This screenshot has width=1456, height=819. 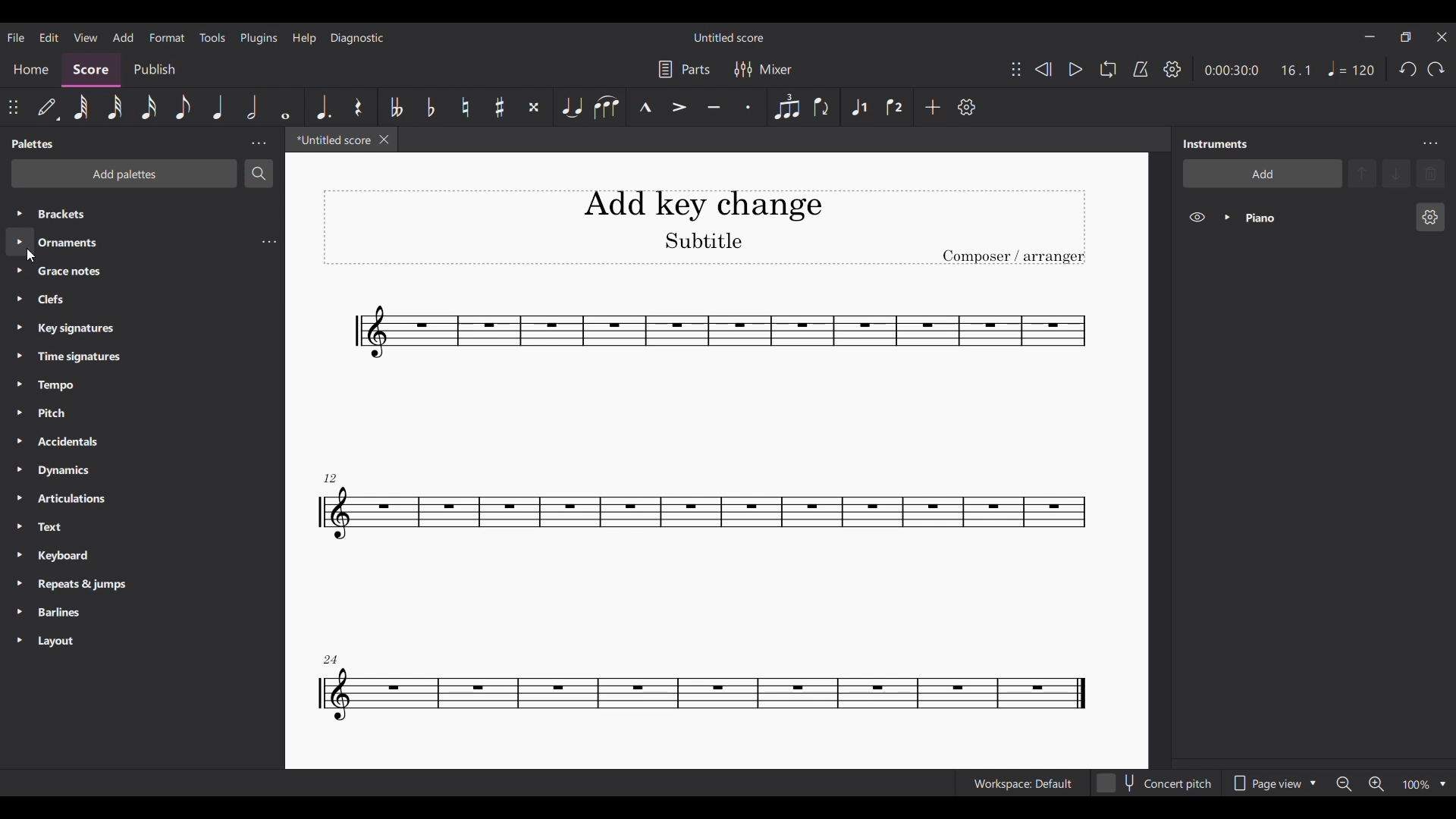 What do you see at coordinates (1257, 70) in the screenshot?
I see `Ratio and duration of score` at bounding box center [1257, 70].